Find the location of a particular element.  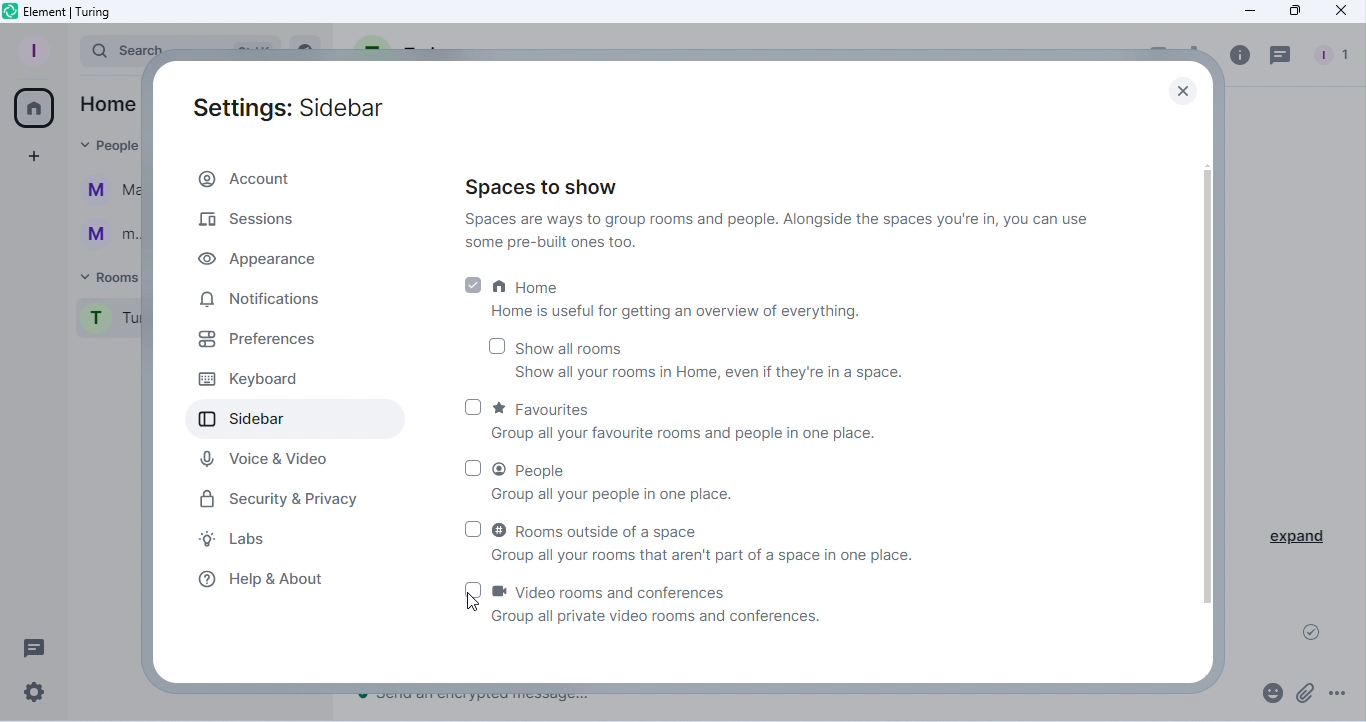

Scroll bar is located at coordinates (1211, 397).